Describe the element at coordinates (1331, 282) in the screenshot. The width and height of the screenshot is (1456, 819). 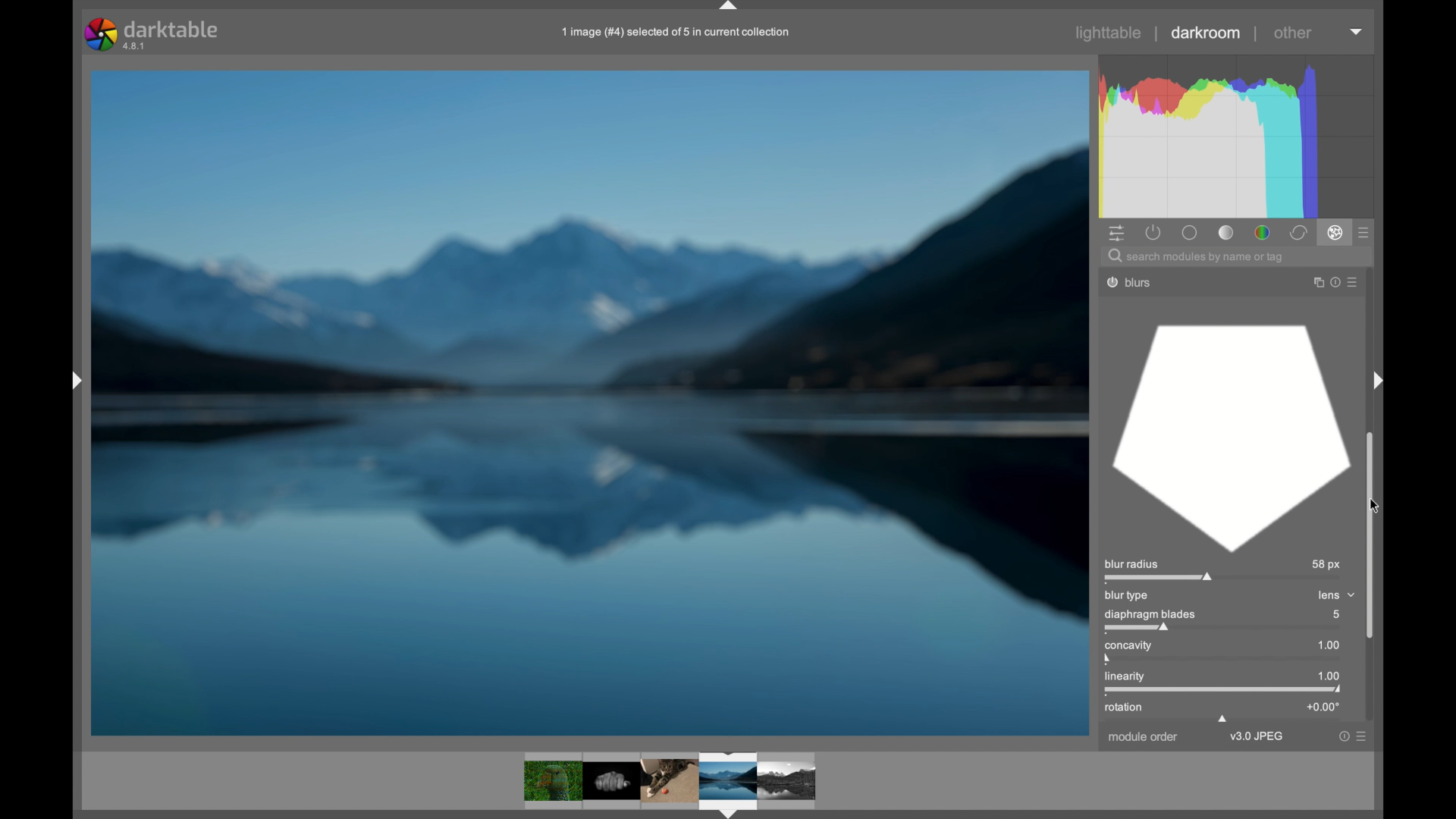
I see `help` at that location.